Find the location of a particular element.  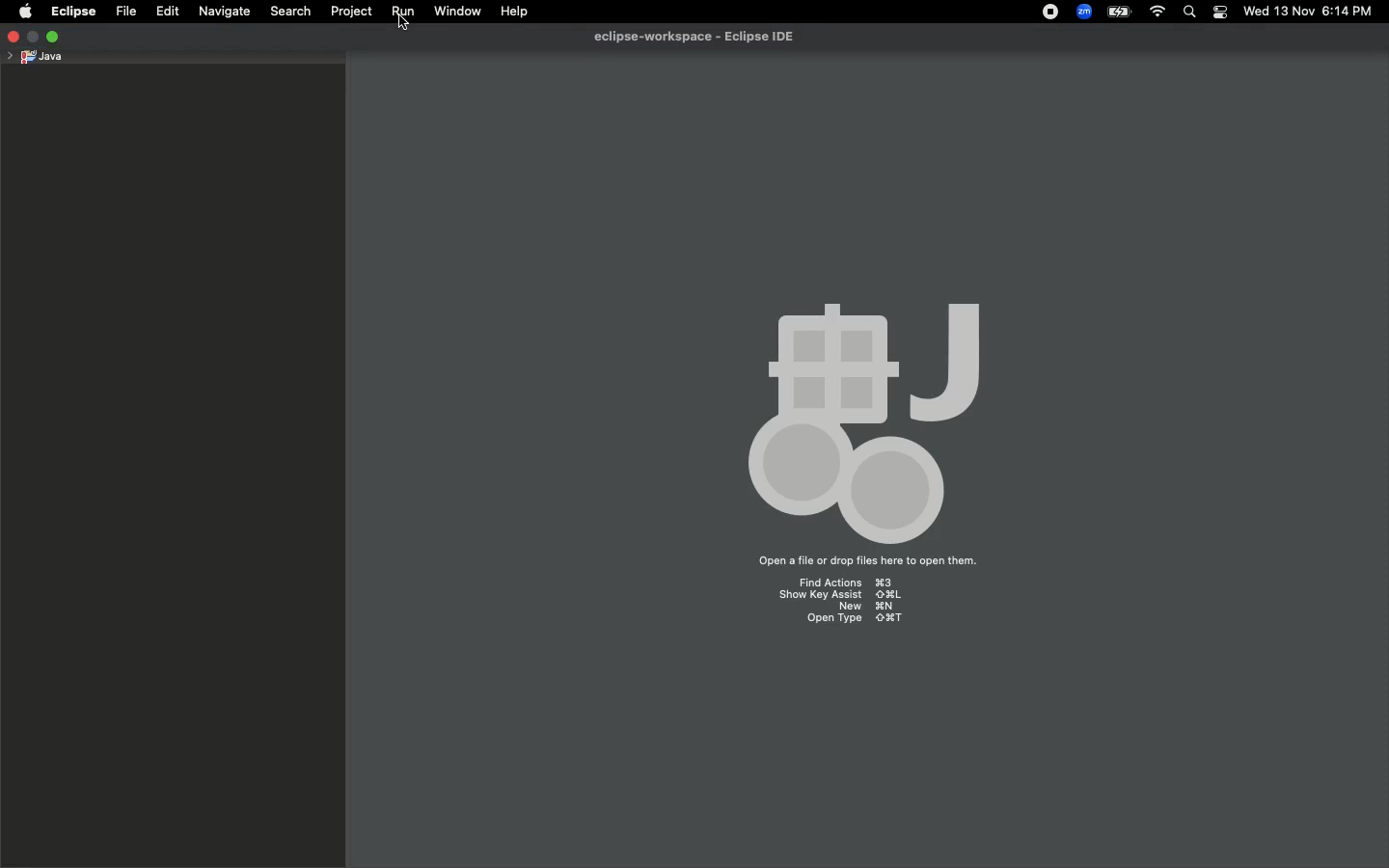

Zoom is located at coordinates (1081, 14).